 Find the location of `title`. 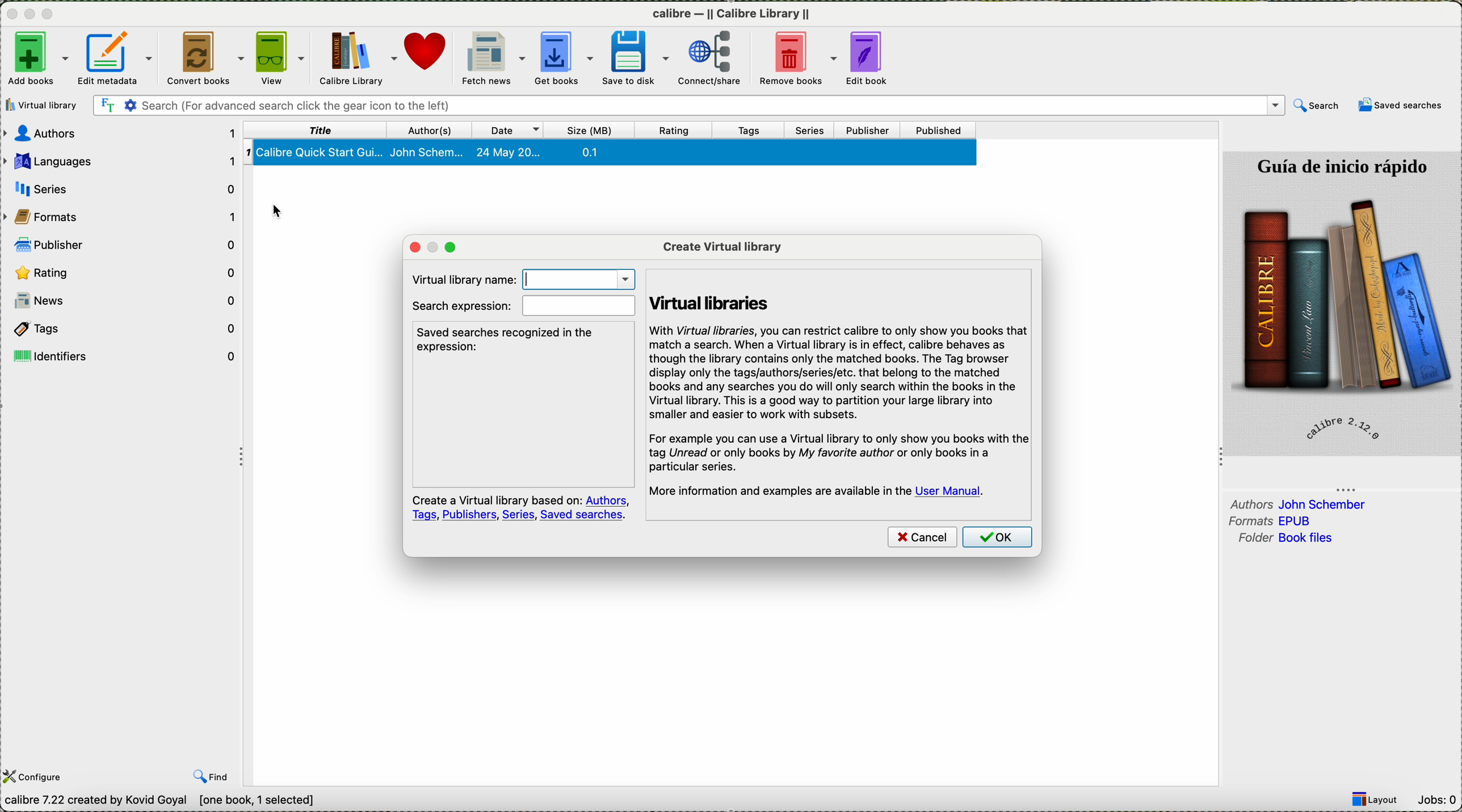

title is located at coordinates (320, 131).